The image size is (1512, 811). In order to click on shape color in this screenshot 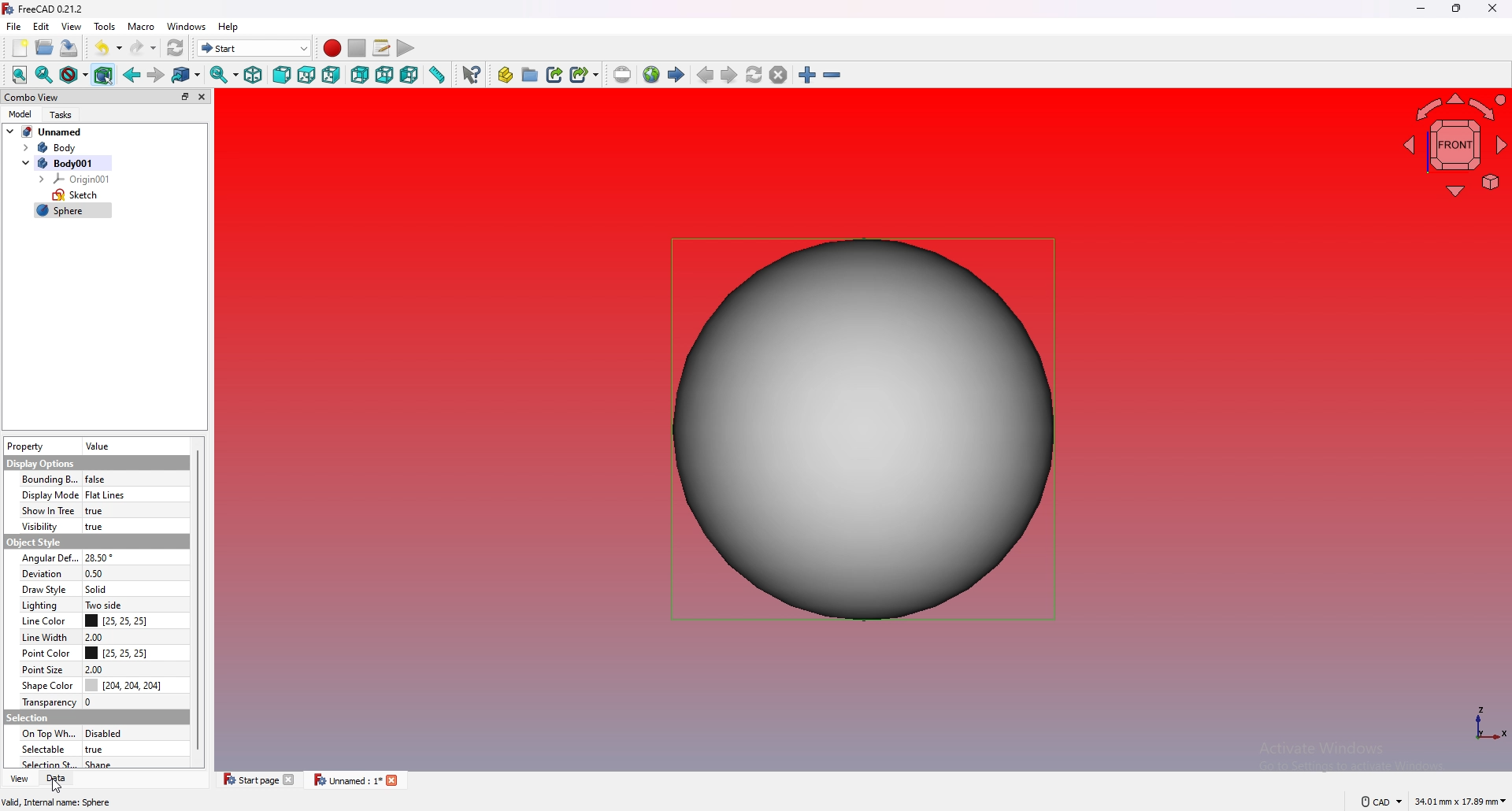, I will do `click(98, 684)`.